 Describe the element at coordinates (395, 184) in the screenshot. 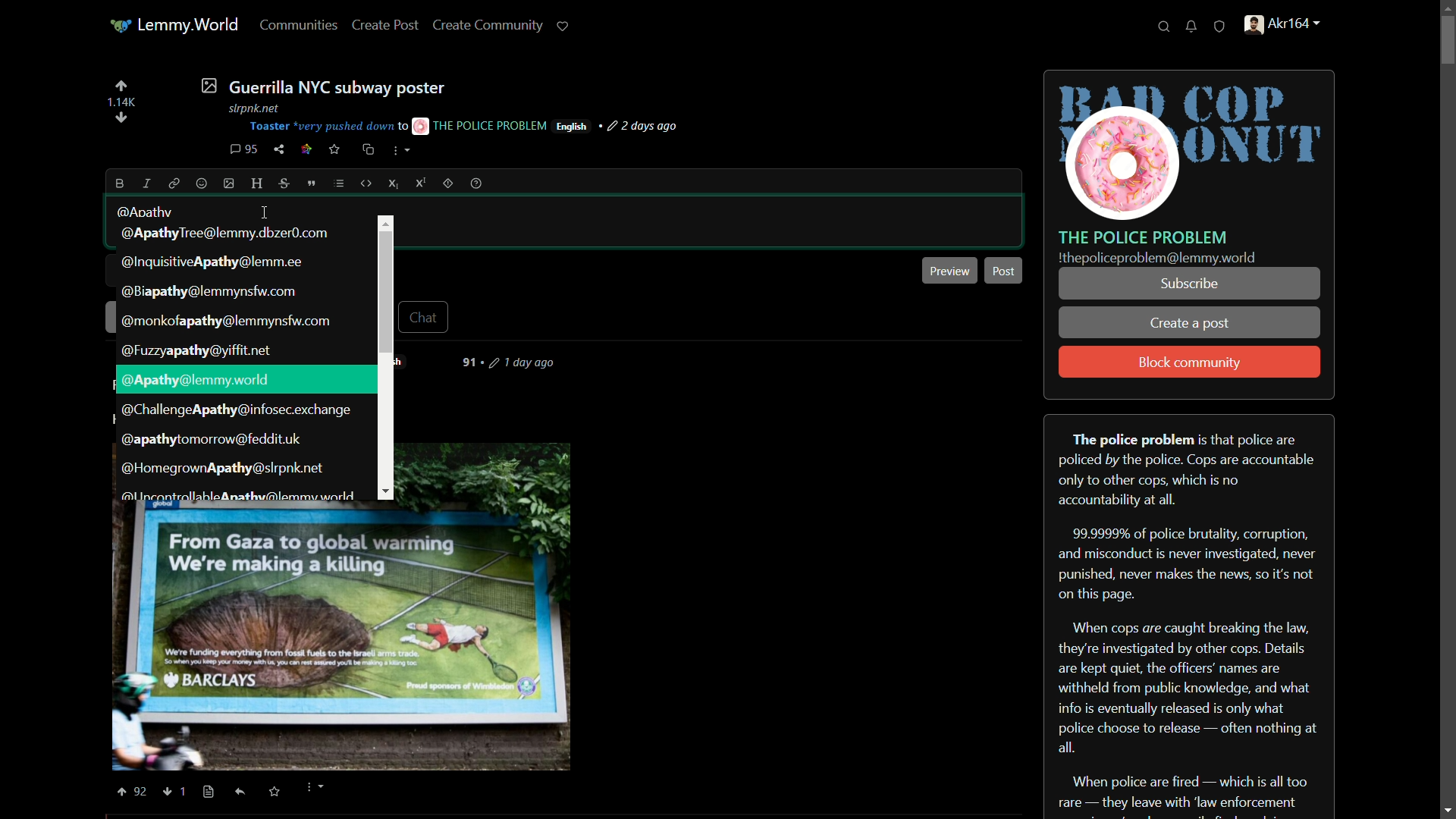

I see `subscript` at that location.